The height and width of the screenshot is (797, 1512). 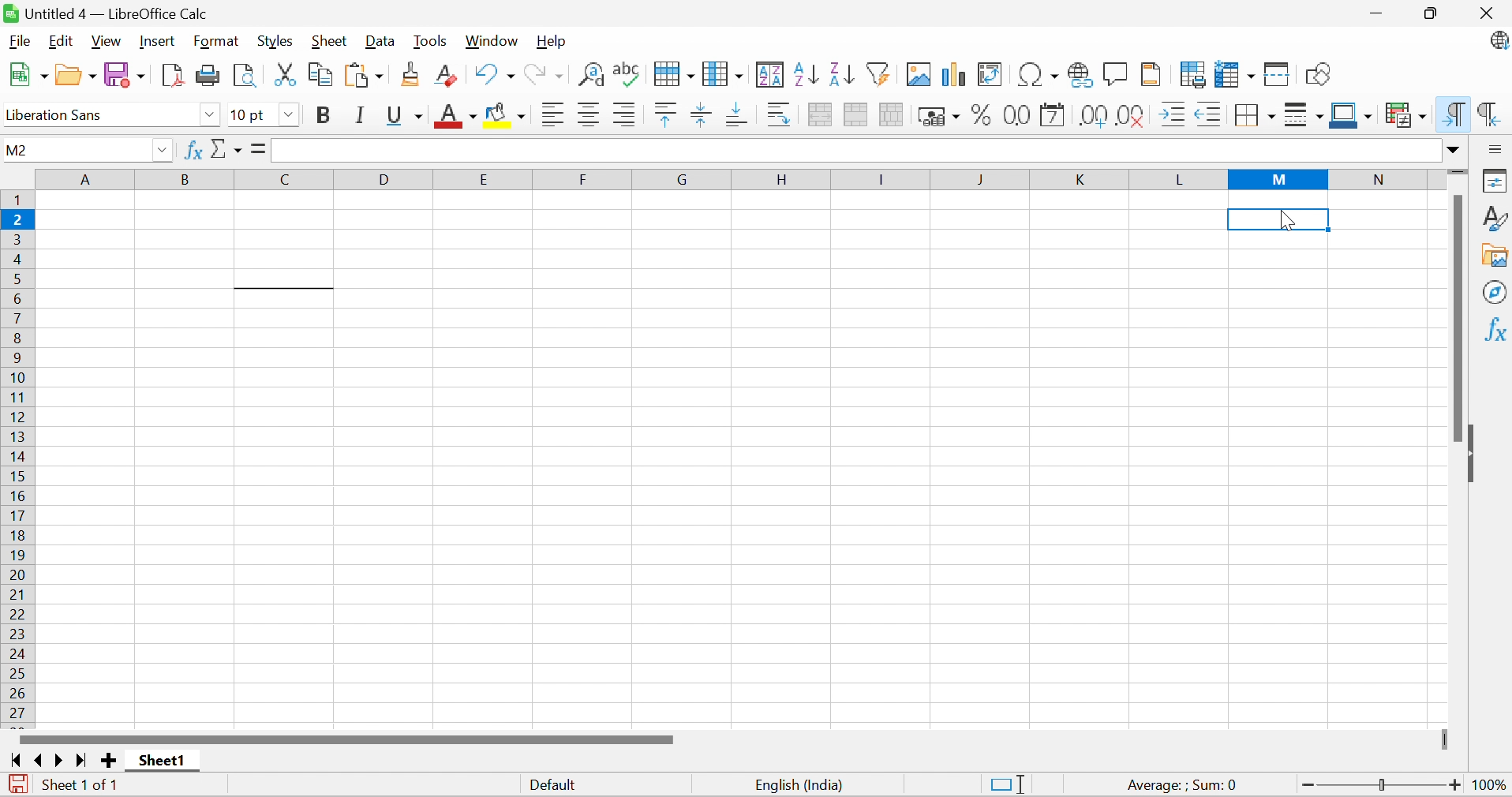 I want to click on Zoom in, so click(x=1456, y=784).